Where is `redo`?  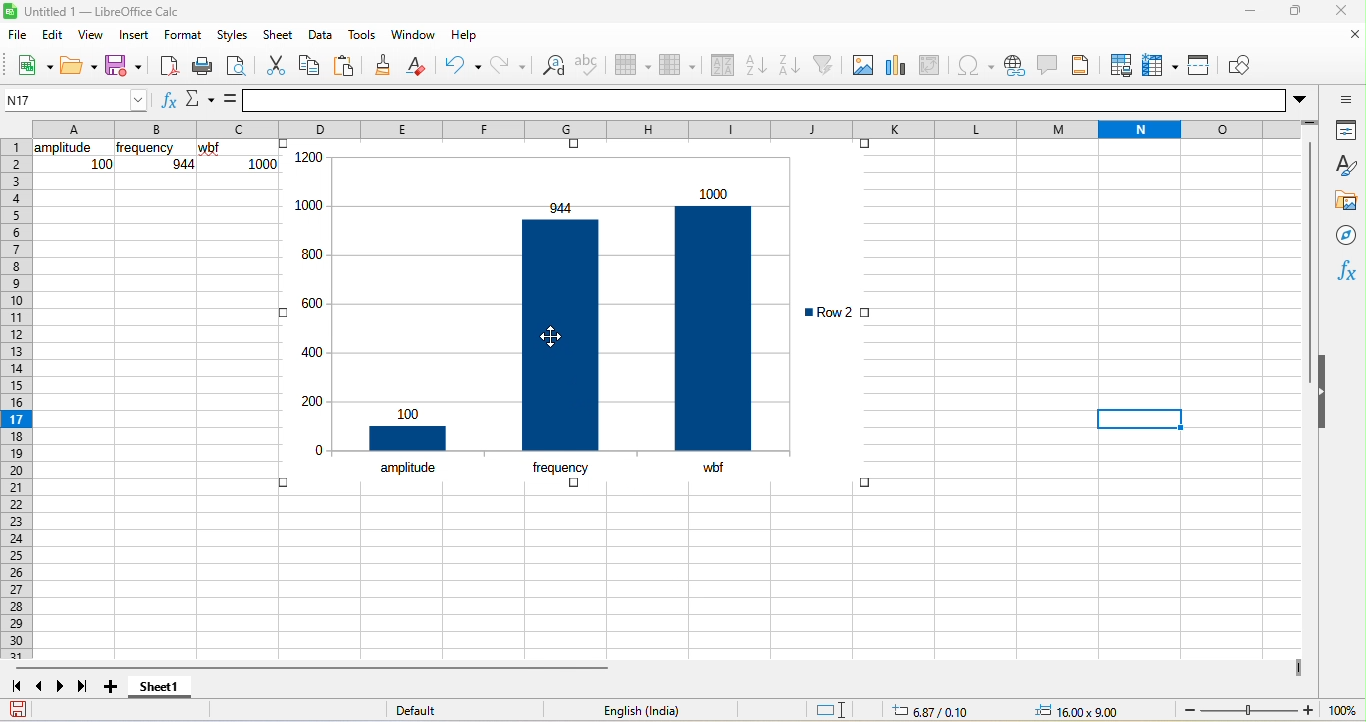 redo is located at coordinates (502, 67).